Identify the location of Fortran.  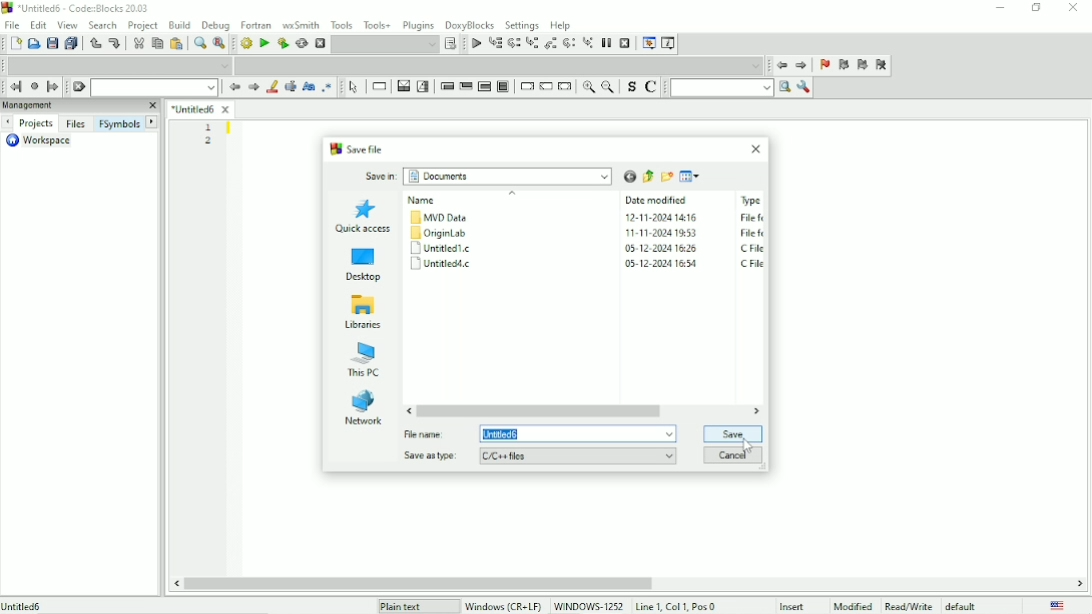
(256, 24).